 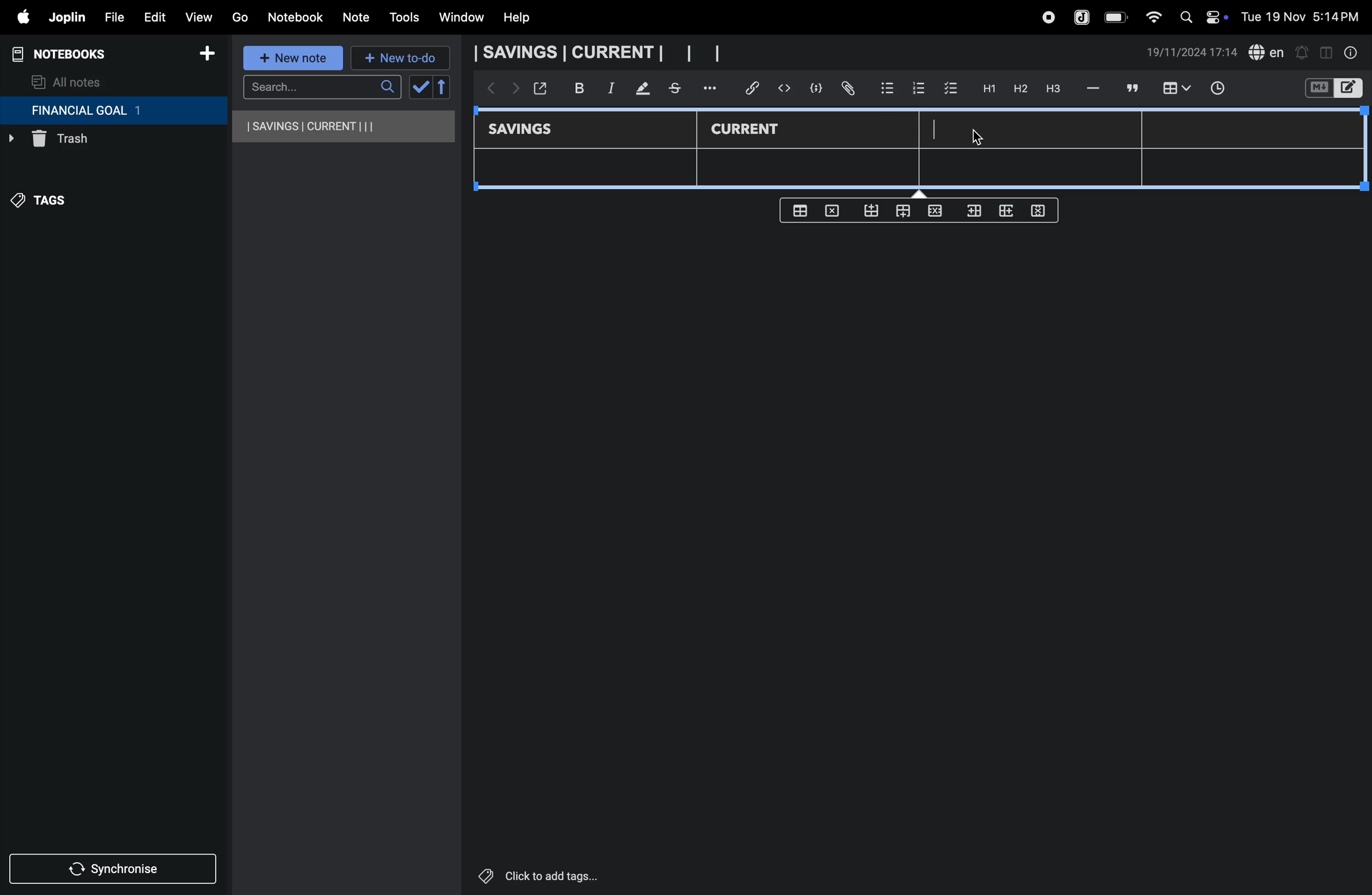 I want to click on notebooks, so click(x=69, y=54).